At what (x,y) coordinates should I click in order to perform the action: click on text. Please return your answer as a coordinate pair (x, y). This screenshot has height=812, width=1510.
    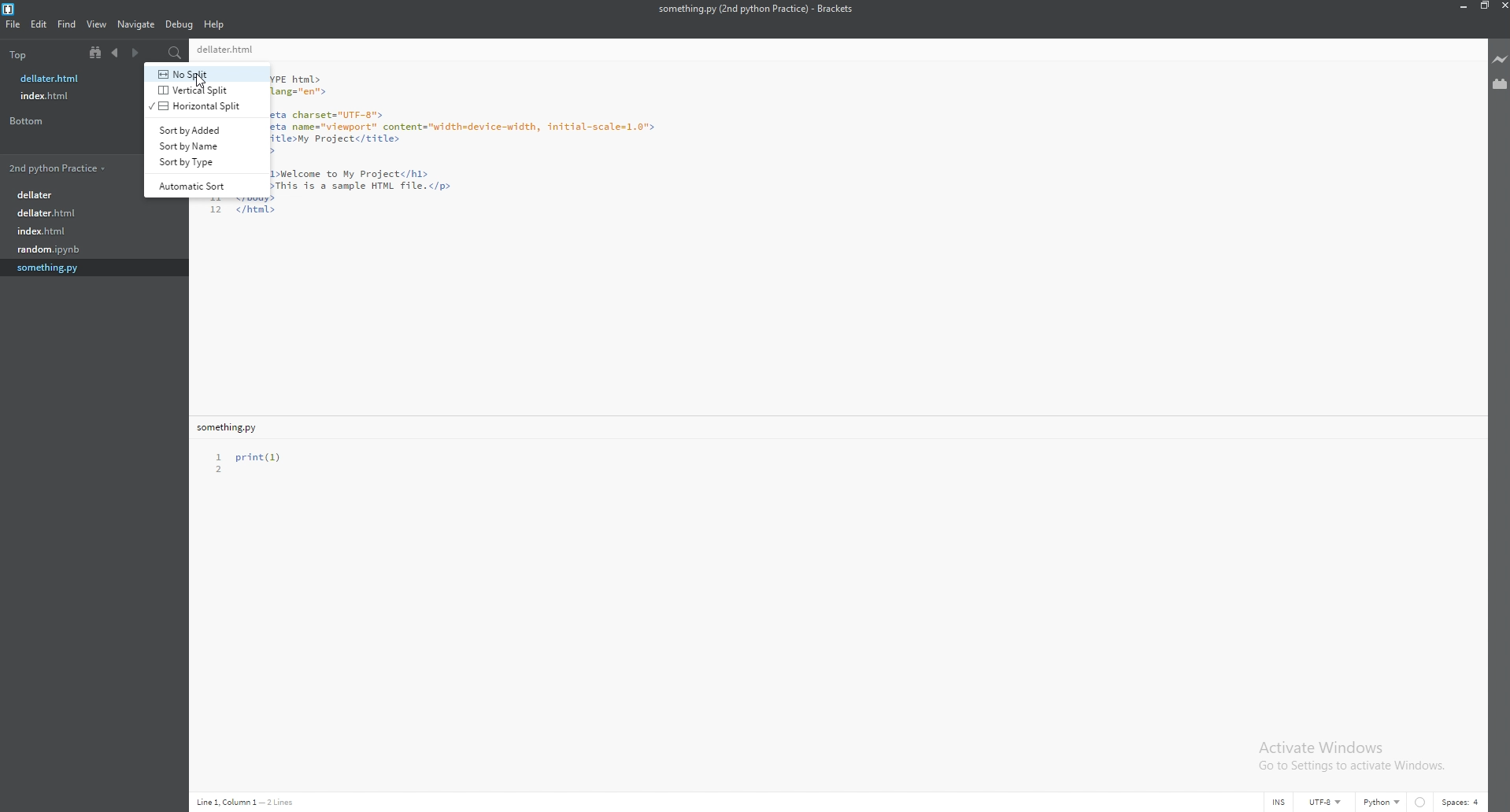
    Looking at the image, I should click on (254, 463).